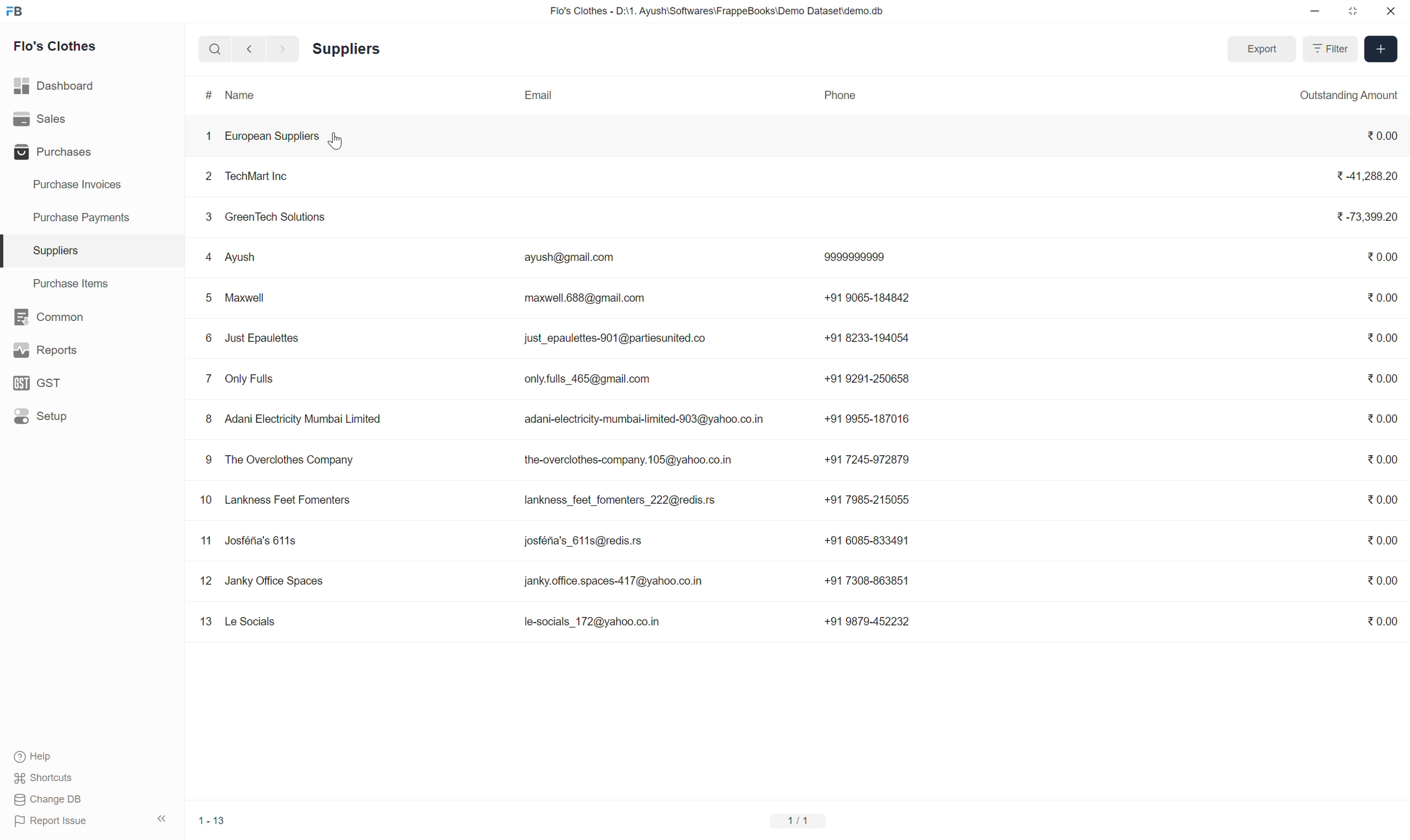 The image size is (1410, 840). What do you see at coordinates (868, 458) in the screenshot?
I see `+91 7245-972879` at bounding box center [868, 458].